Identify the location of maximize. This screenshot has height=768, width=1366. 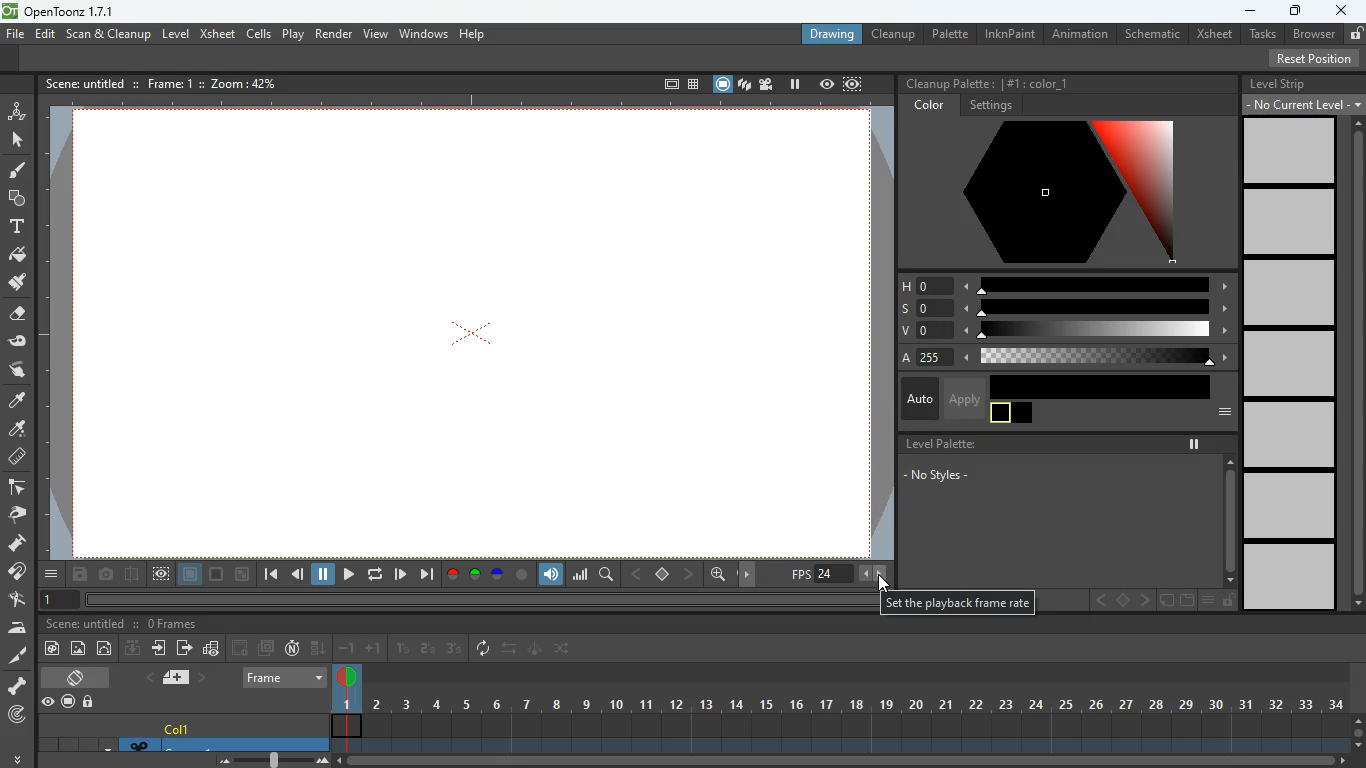
(1299, 12).